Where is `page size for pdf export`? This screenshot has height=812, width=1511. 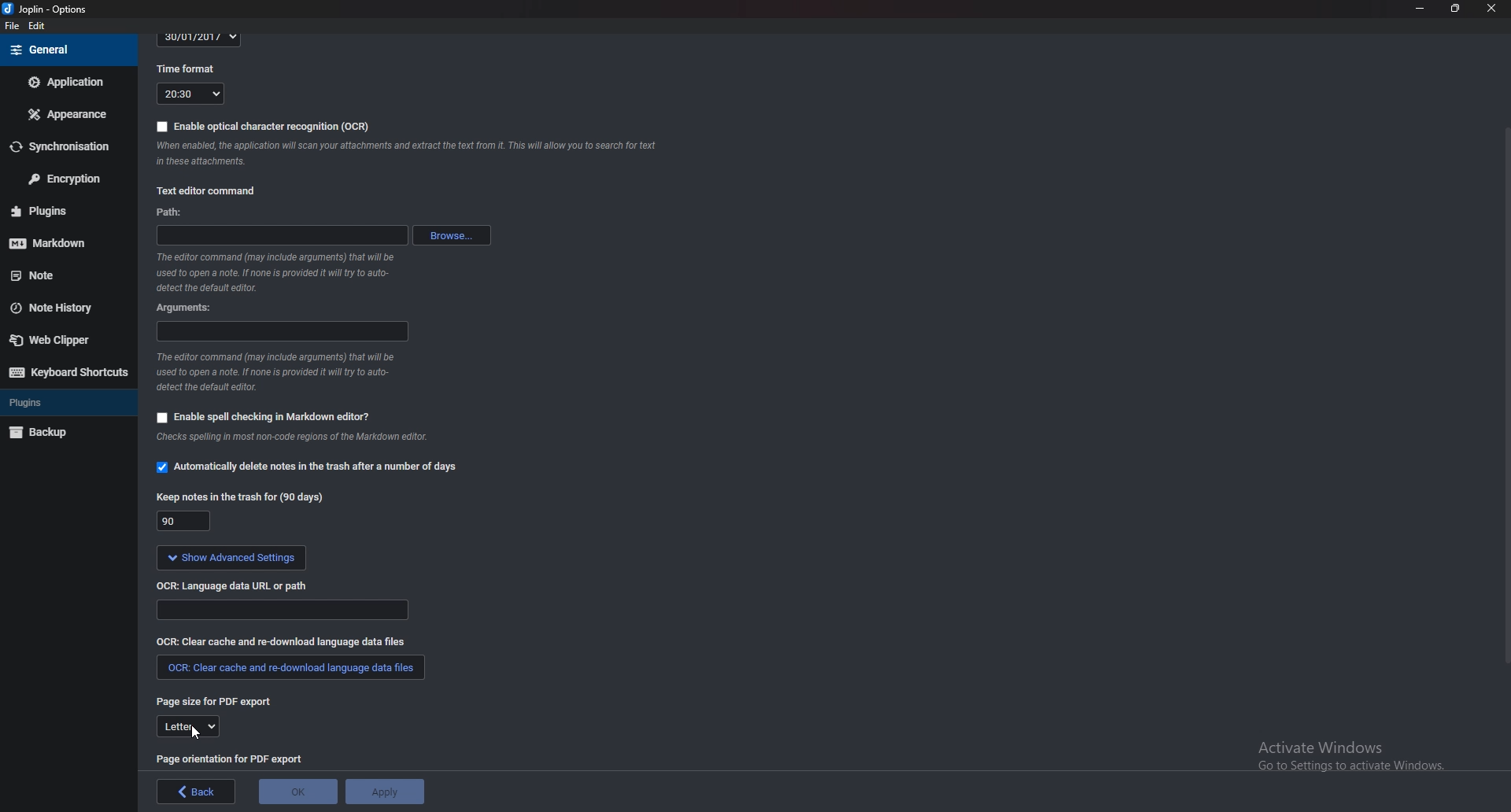 page size for pdf export is located at coordinates (219, 703).